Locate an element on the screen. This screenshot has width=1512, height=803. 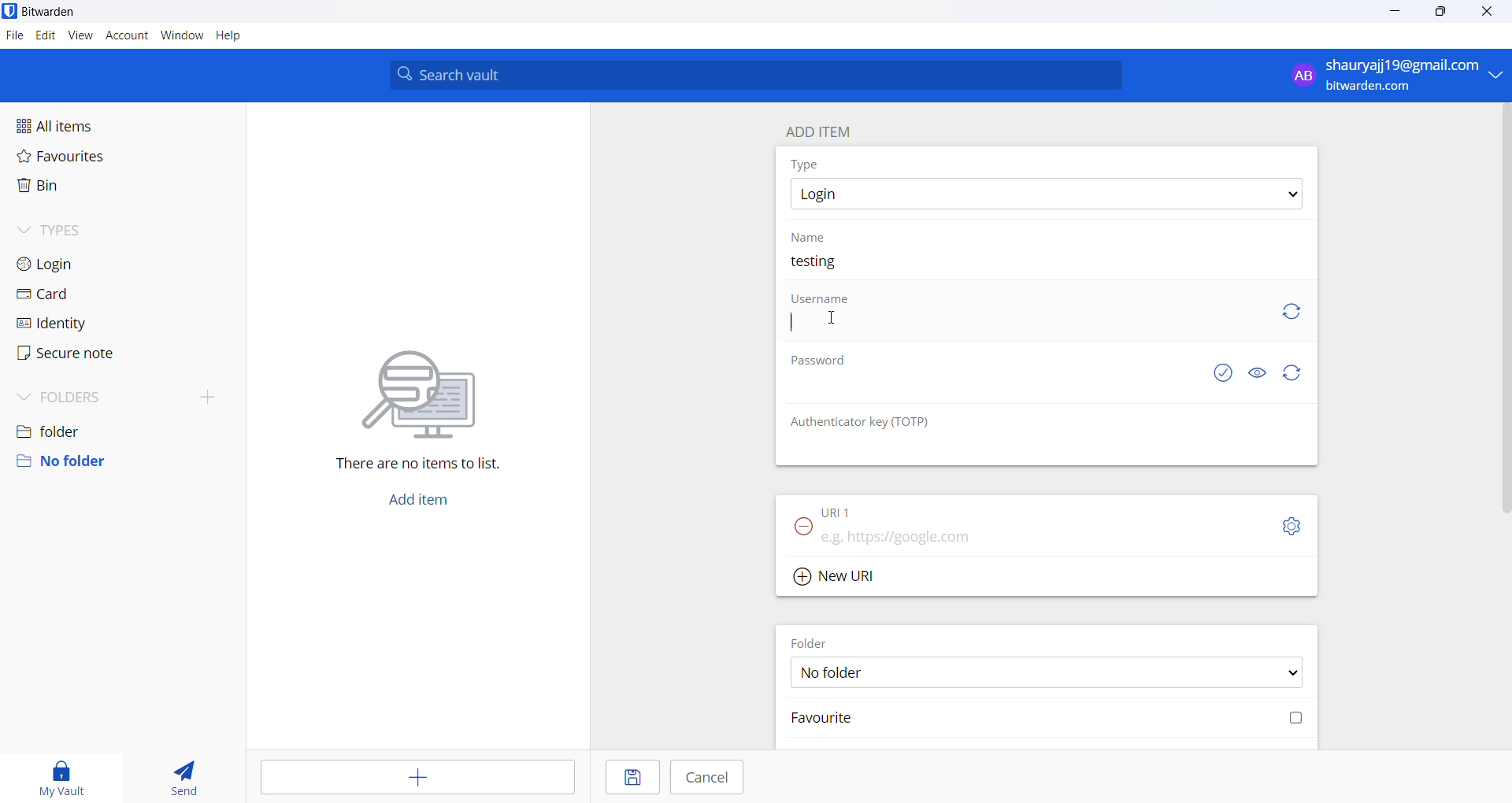
my vault is located at coordinates (62, 774).